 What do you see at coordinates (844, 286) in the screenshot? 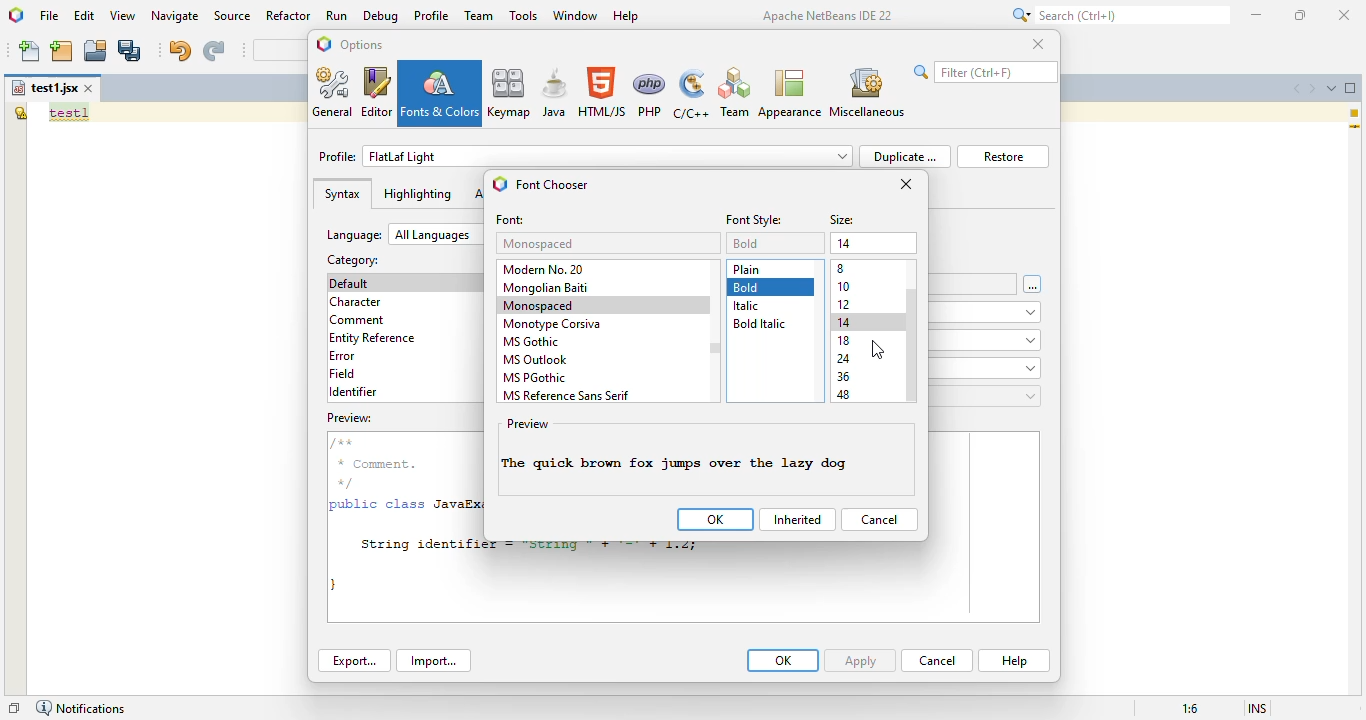
I see `10` at bounding box center [844, 286].